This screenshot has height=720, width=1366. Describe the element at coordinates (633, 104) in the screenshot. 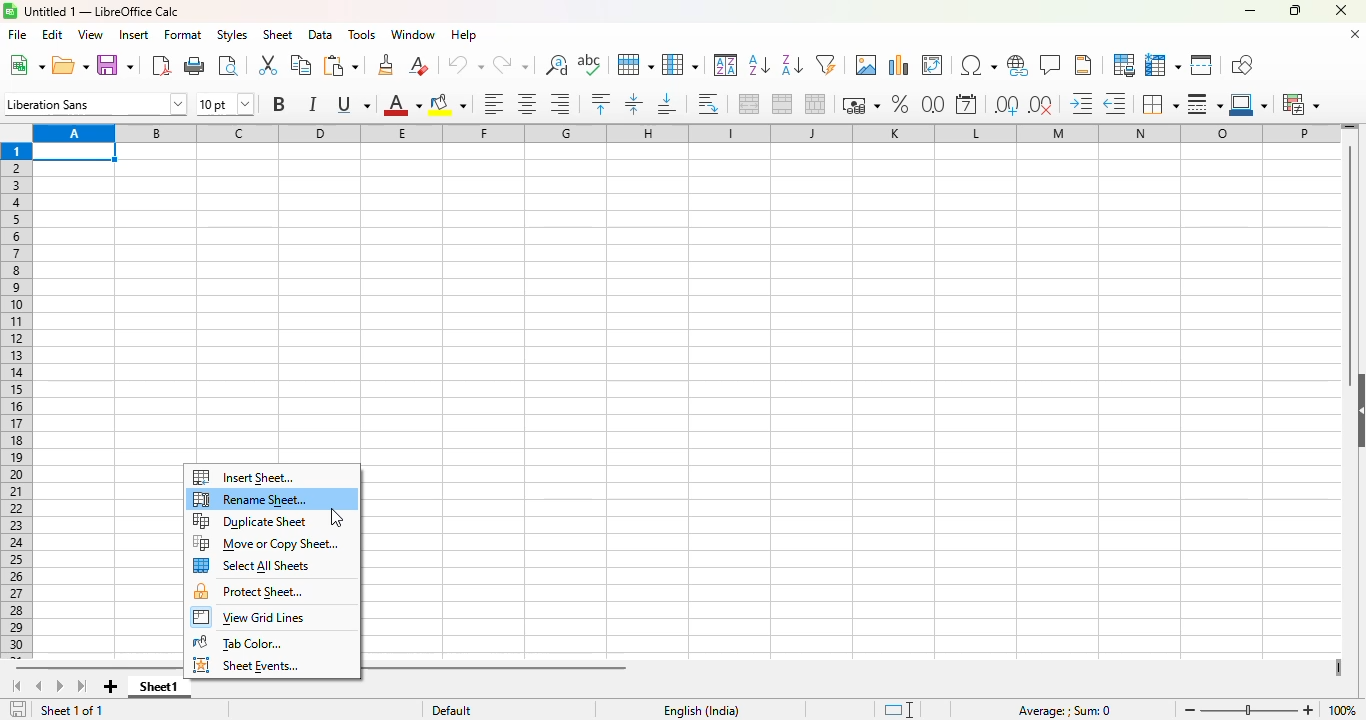

I see `center vertically` at that location.